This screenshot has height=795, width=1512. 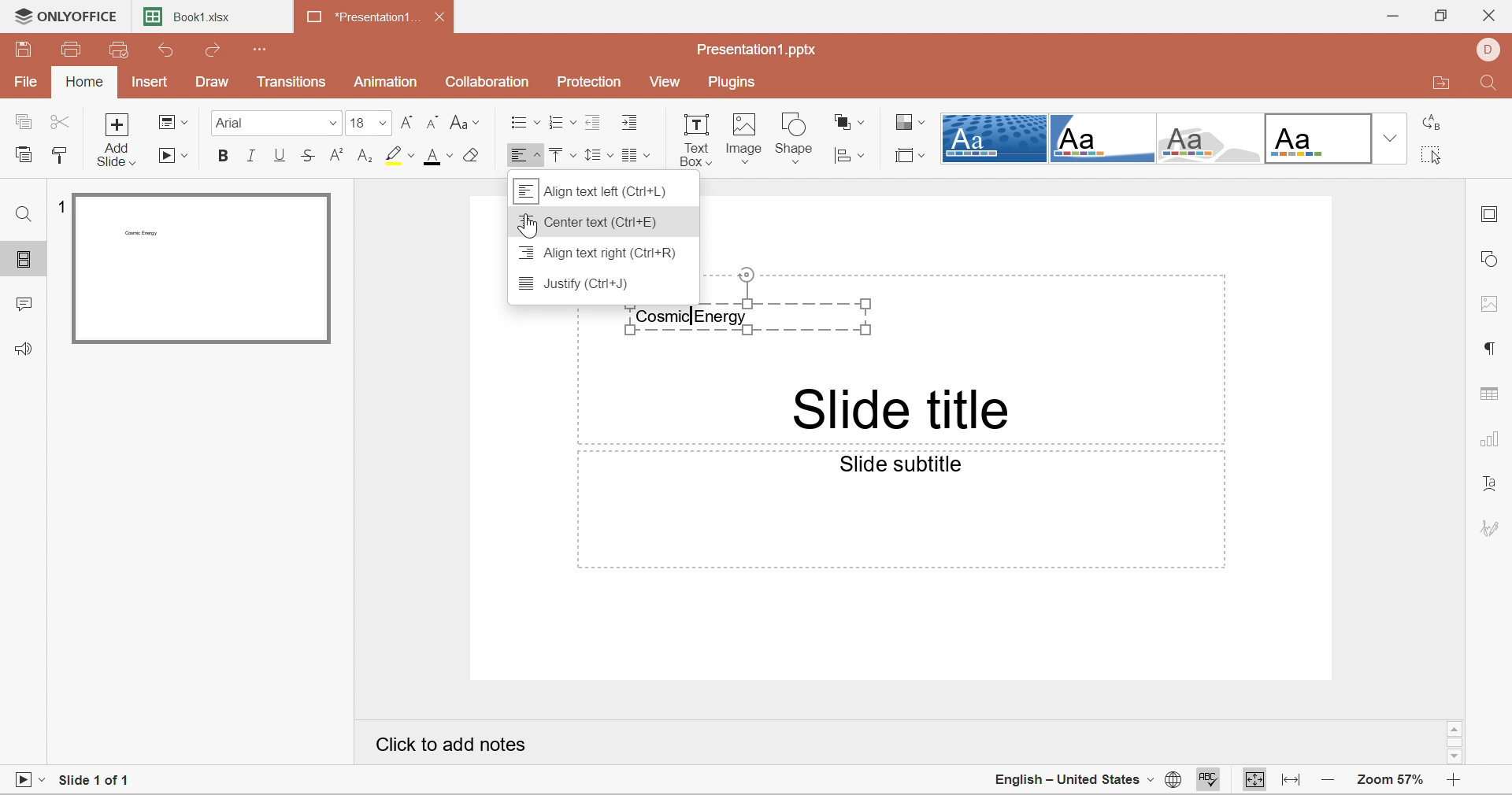 What do you see at coordinates (196, 20) in the screenshot?
I see `Book1.xlsx` at bounding box center [196, 20].